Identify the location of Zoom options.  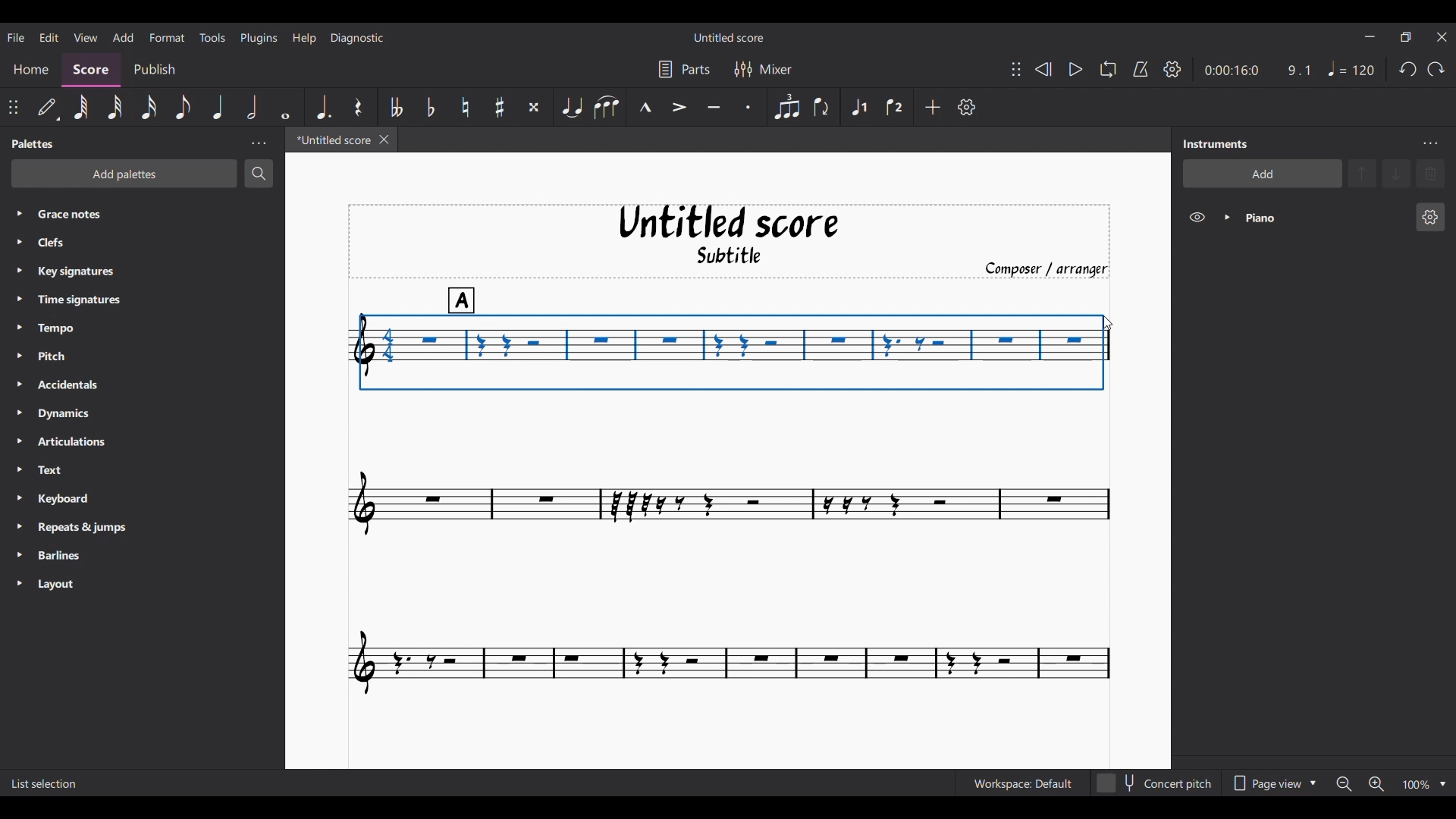
(1442, 784).